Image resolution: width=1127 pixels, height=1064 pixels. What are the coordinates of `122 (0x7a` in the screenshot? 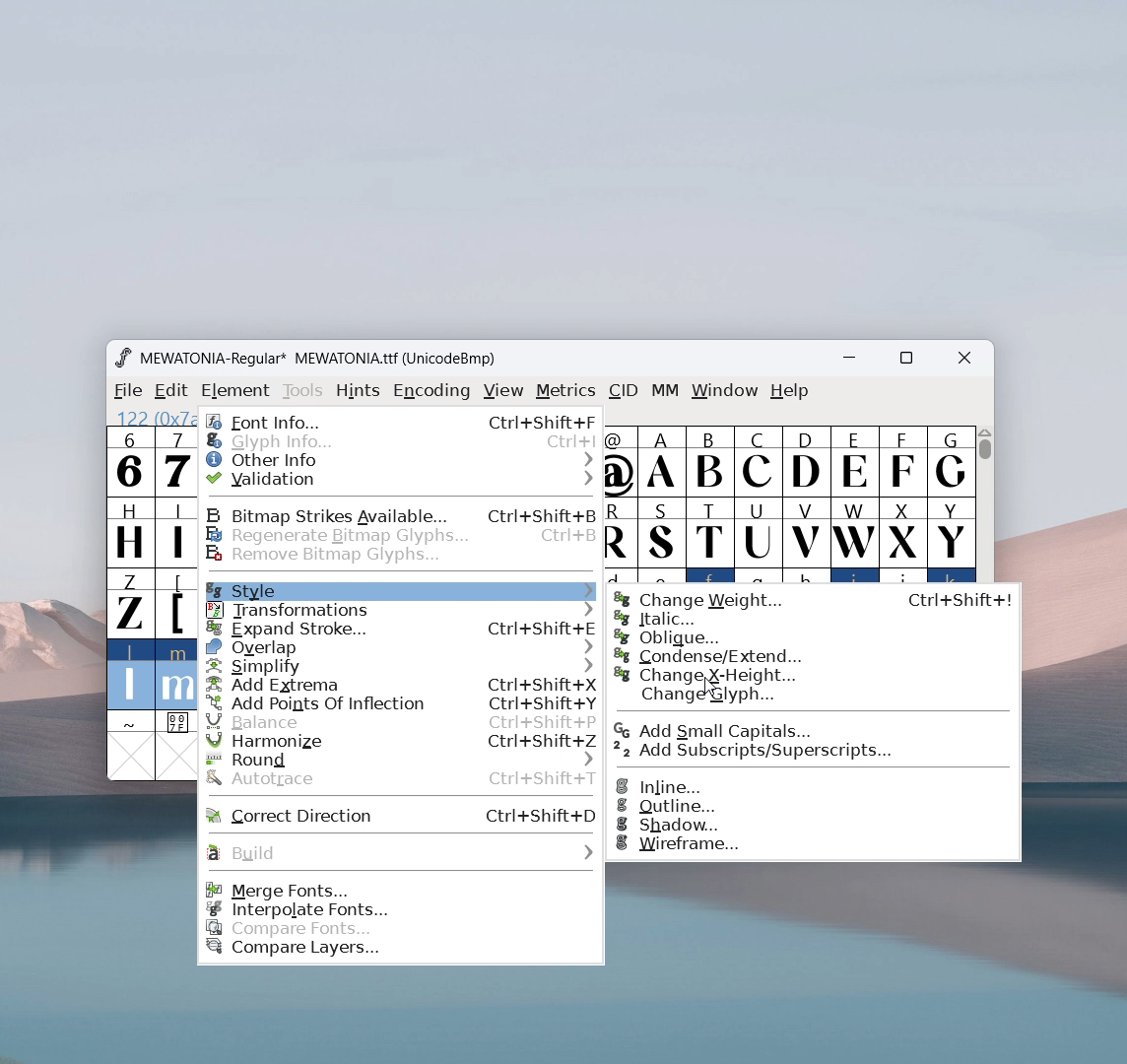 It's located at (154, 418).